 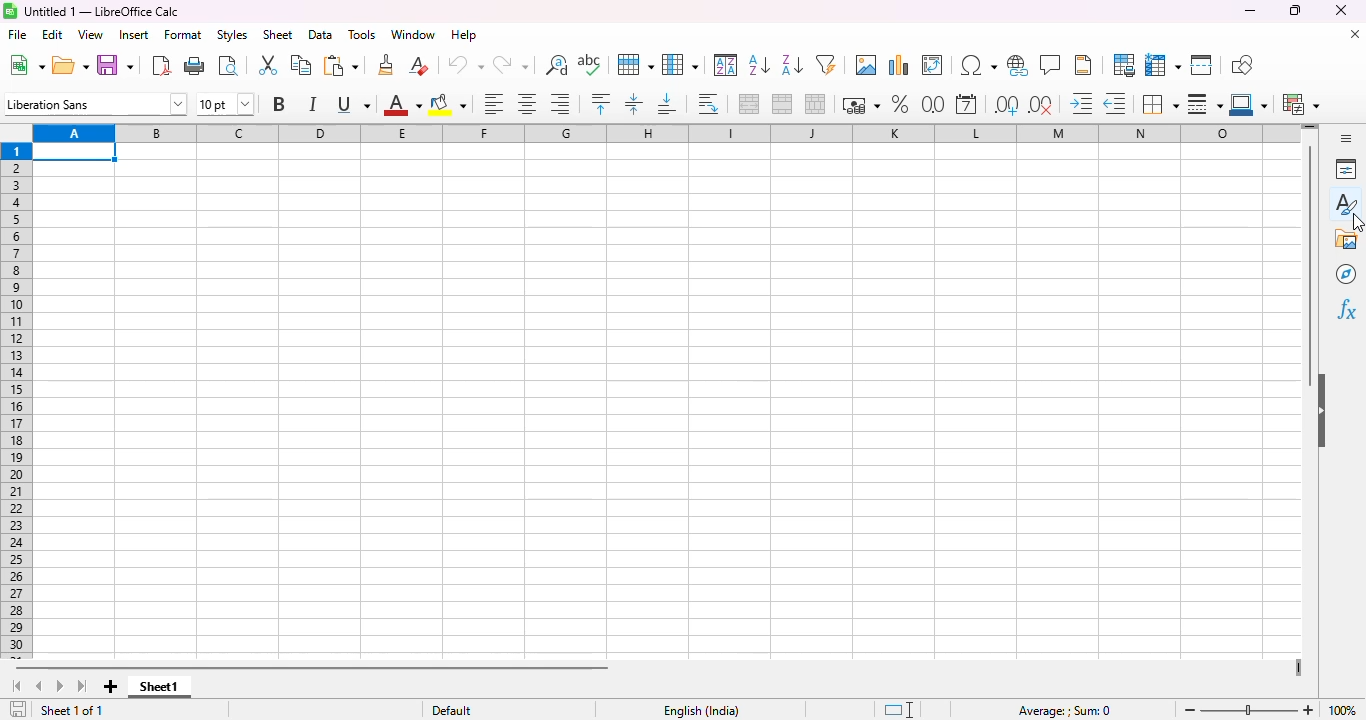 I want to click on toggle print preview, so click(x=228, y=65).